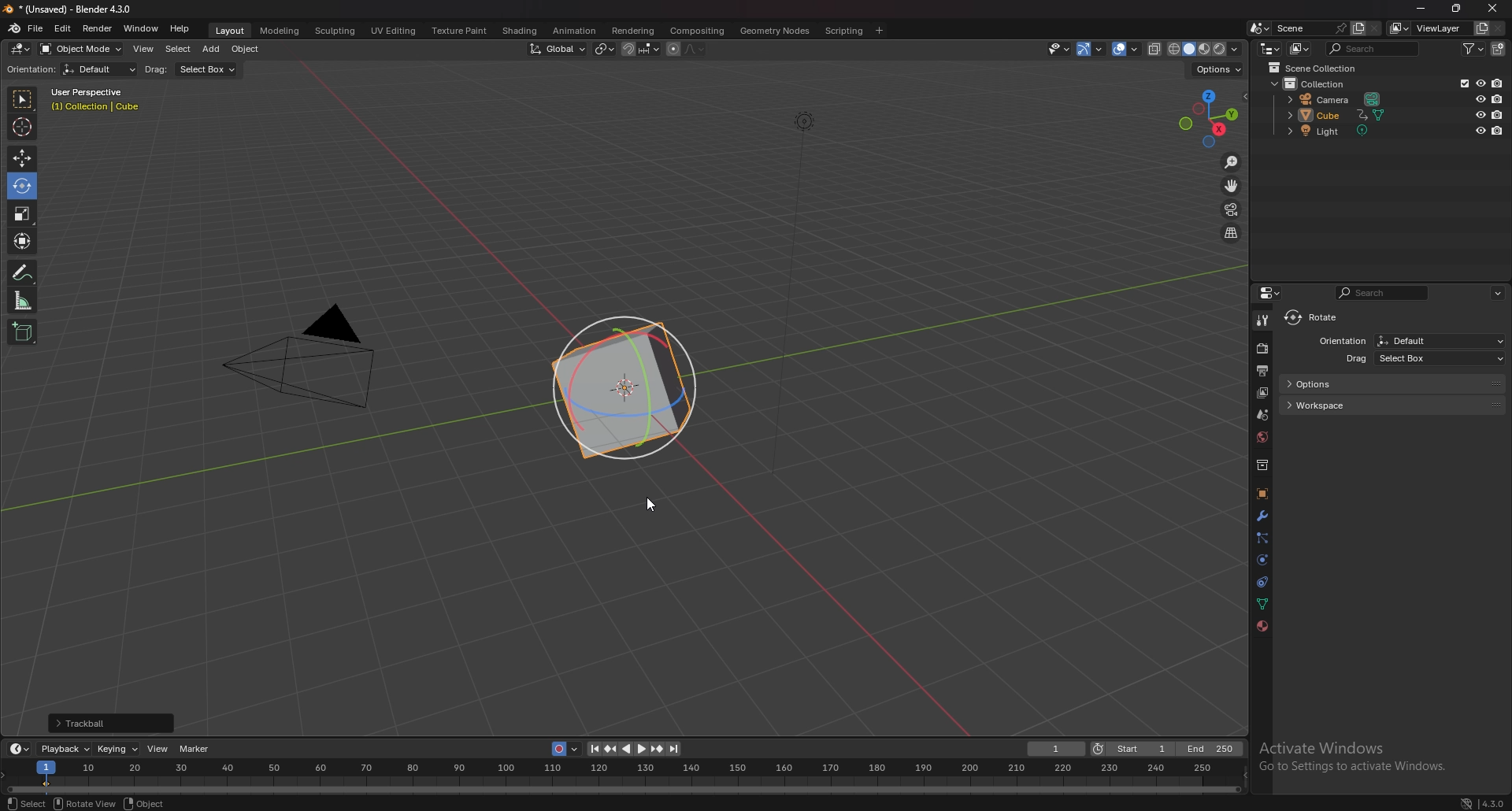  What do you see at coordinates (81, 49) in the screenshot?
I see `object mode` at bounding box center [81, 49].